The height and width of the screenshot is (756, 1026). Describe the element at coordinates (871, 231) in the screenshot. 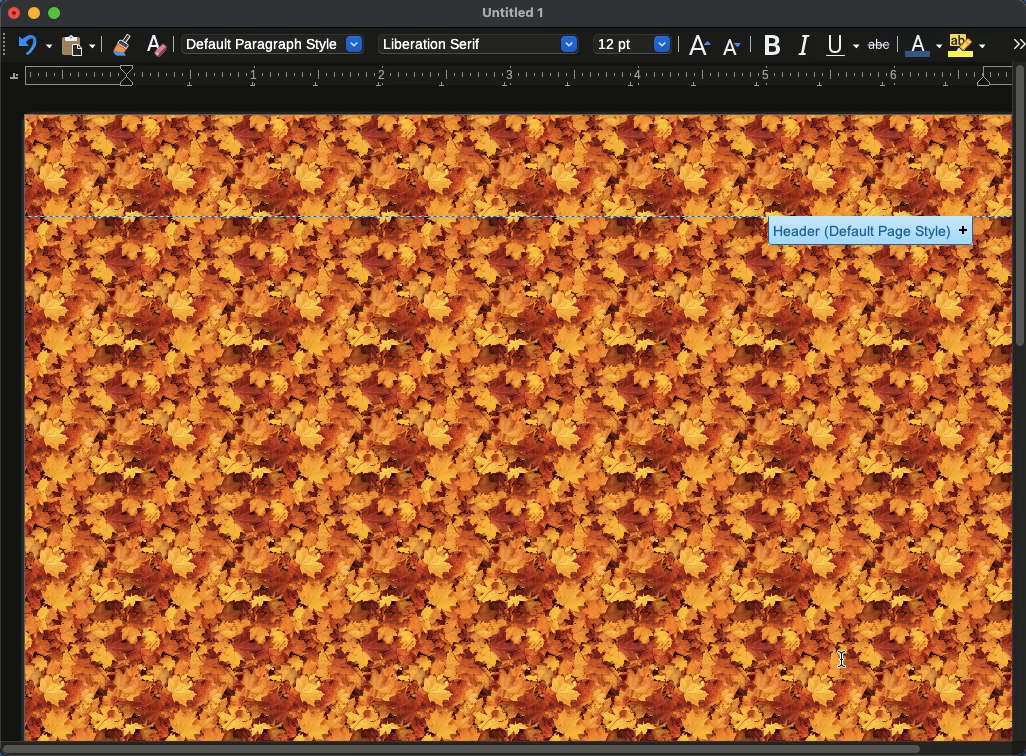

I see `Header (Default Page Style)` at that location.